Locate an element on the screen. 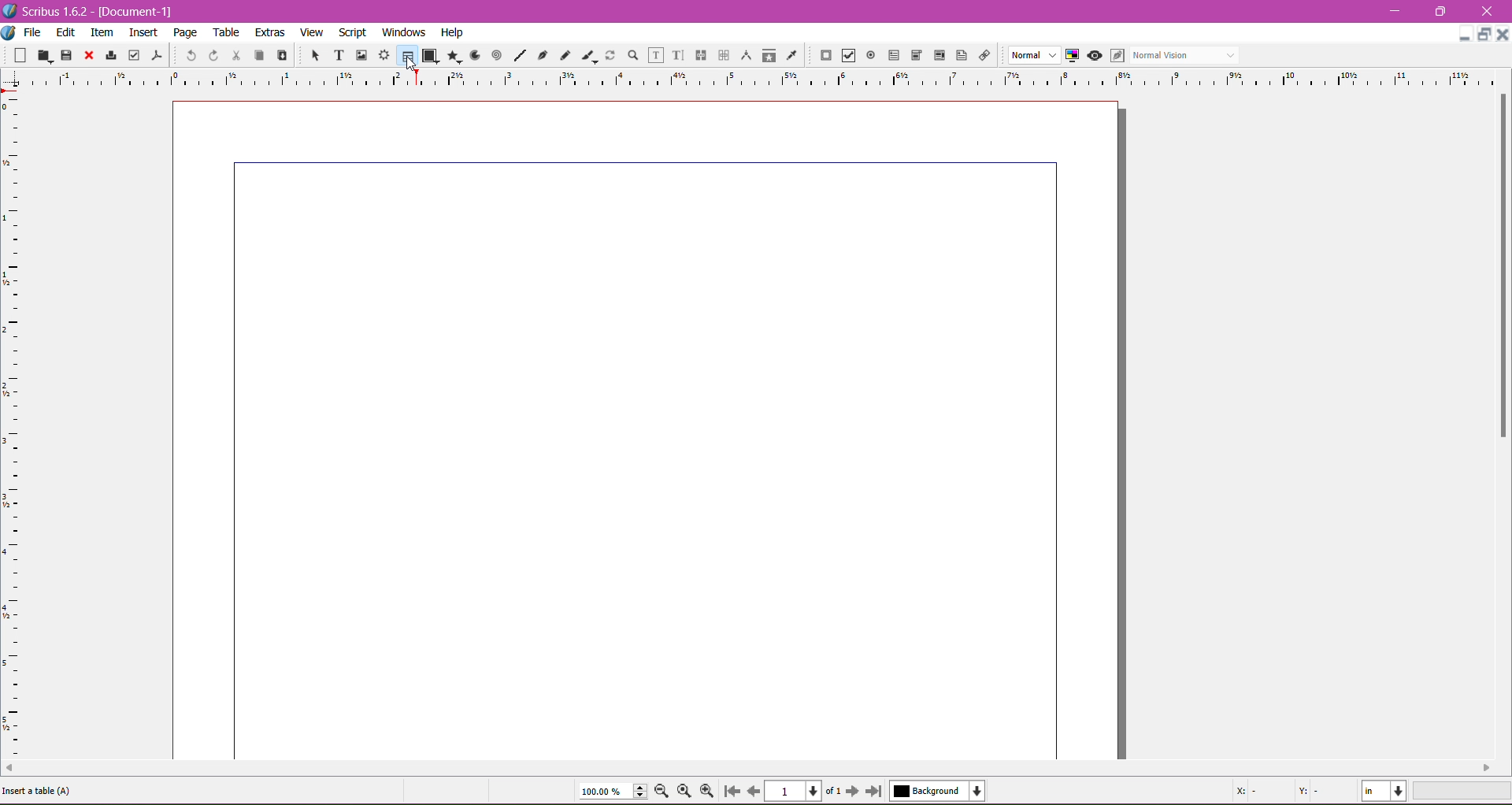 The width and height of the screenshot is (1512, 805). Zoom out is located at coordinates (665, 790).